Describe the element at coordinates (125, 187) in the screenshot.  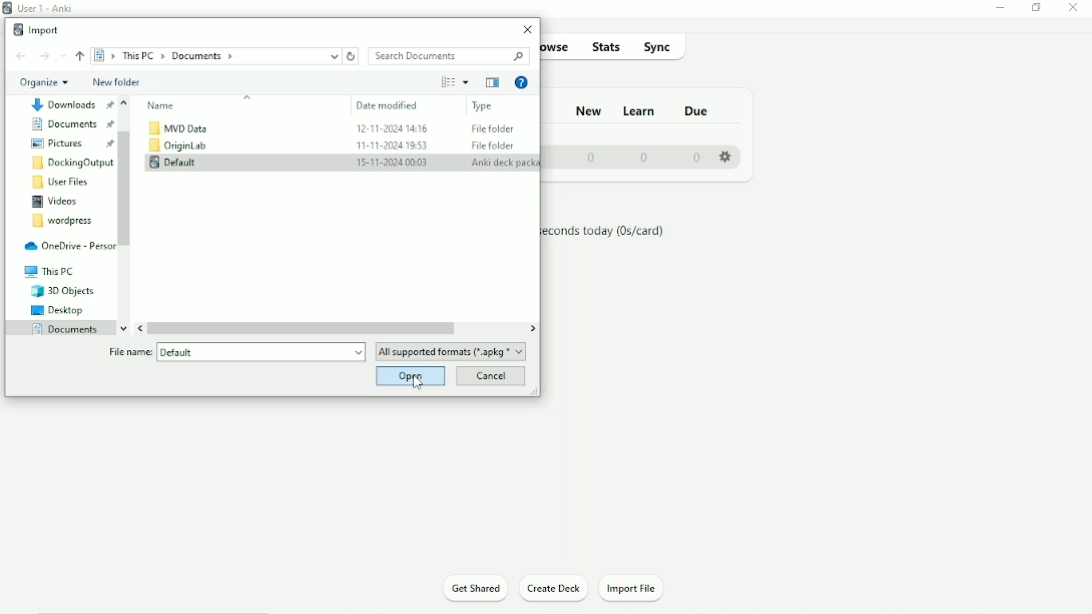
I see `Vertical scrollbar` at that location.